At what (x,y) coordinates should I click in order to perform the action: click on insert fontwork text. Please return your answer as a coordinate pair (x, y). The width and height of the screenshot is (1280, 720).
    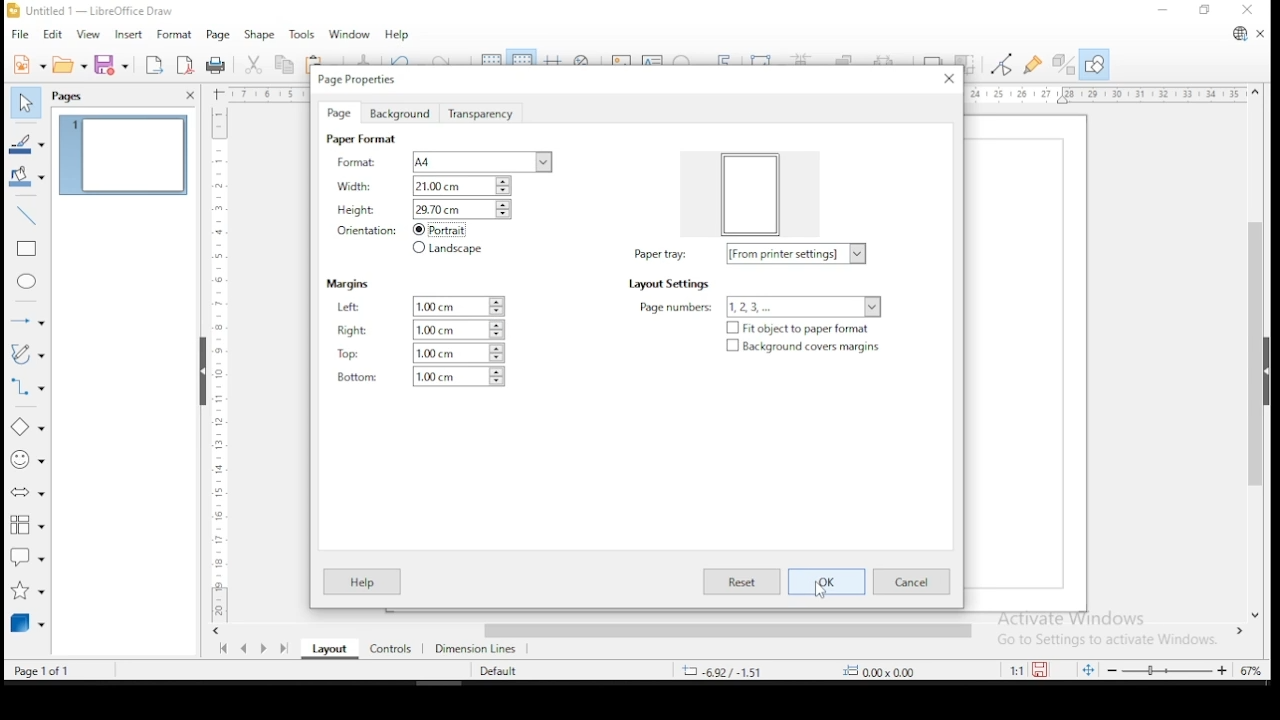
    Looking at the image, I should click on (726, 57).